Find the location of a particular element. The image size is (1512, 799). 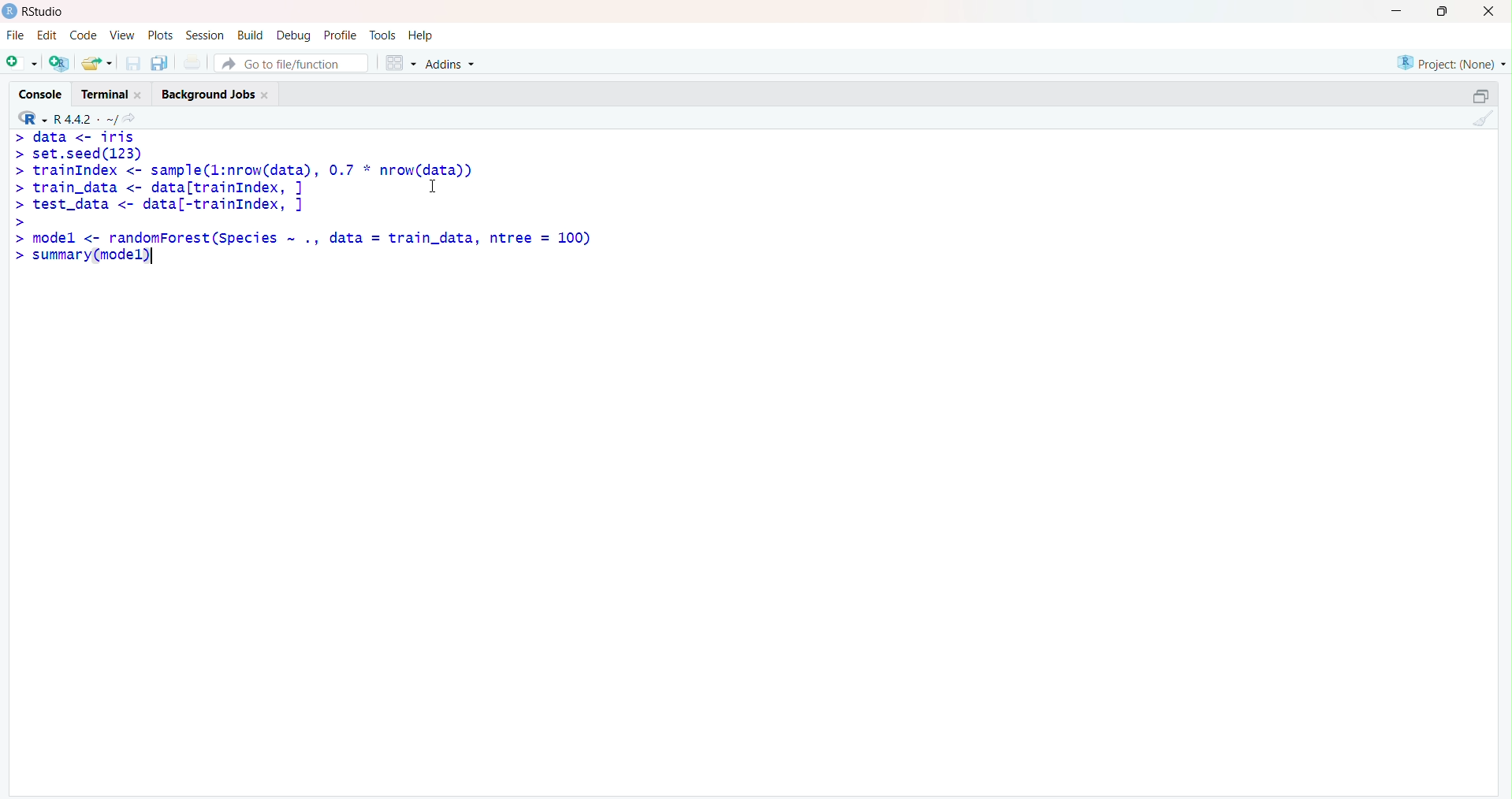

Edit is located at coordinates (47, 33).